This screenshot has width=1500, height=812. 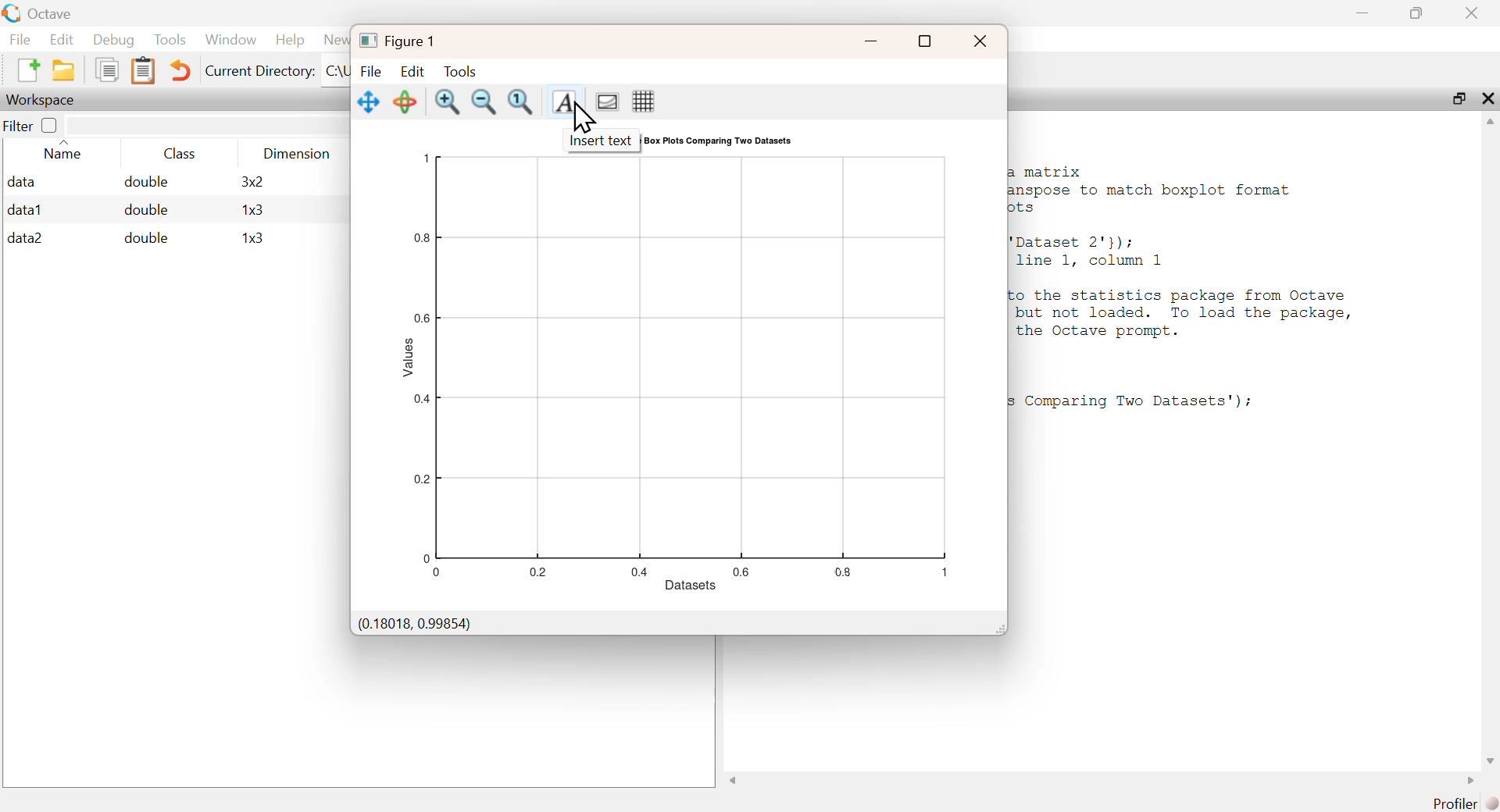 What do you see at coordinates (1466, 803) in the screenshot?
I see `Profiler` at bounding box center [1466, 803].